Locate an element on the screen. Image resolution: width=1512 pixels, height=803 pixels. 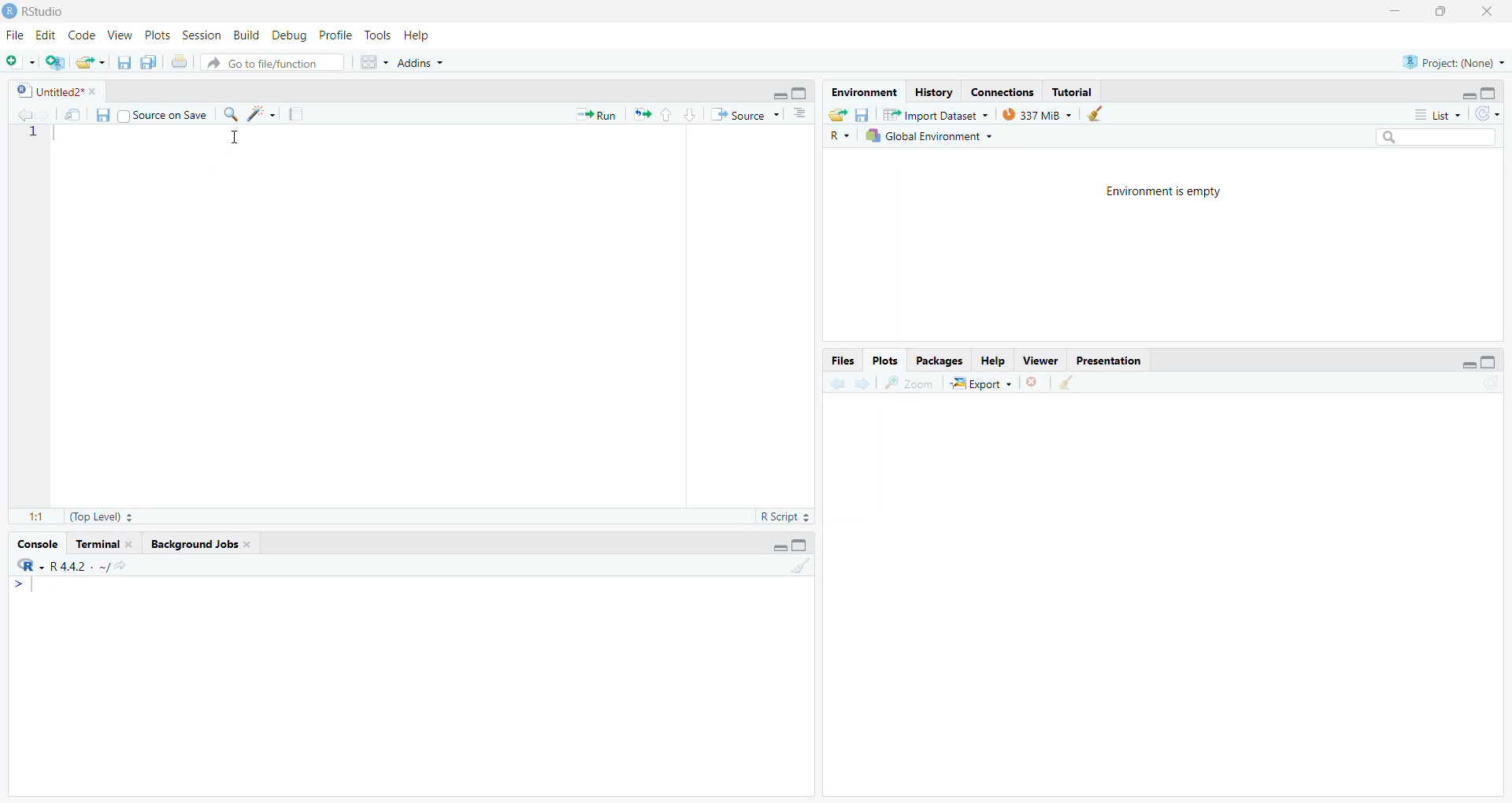
 Import Dataset ~ is located at coordinates (941, 117).